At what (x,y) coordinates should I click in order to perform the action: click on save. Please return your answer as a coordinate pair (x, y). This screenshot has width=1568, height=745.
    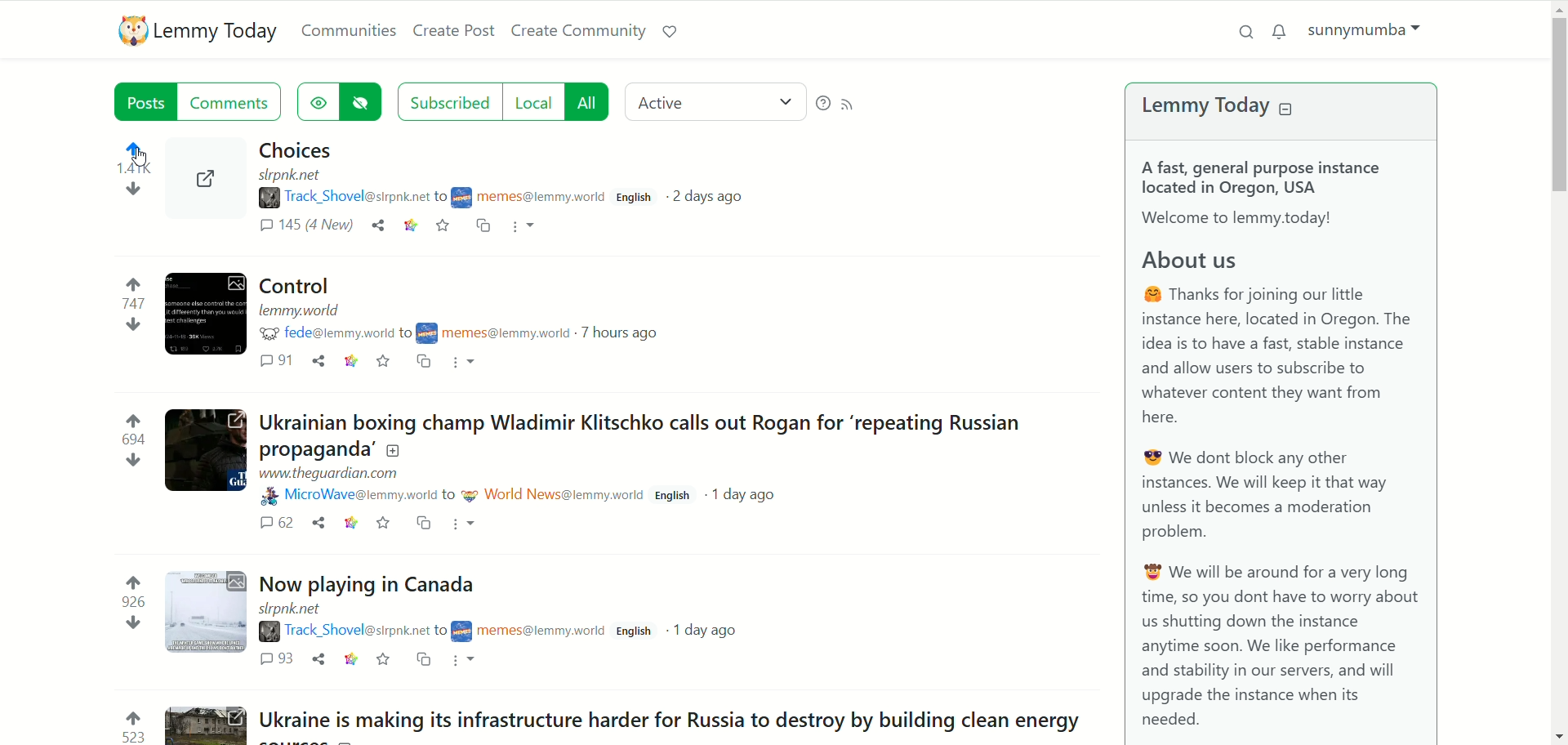
    Looking at the image, I should click on (445, 225).